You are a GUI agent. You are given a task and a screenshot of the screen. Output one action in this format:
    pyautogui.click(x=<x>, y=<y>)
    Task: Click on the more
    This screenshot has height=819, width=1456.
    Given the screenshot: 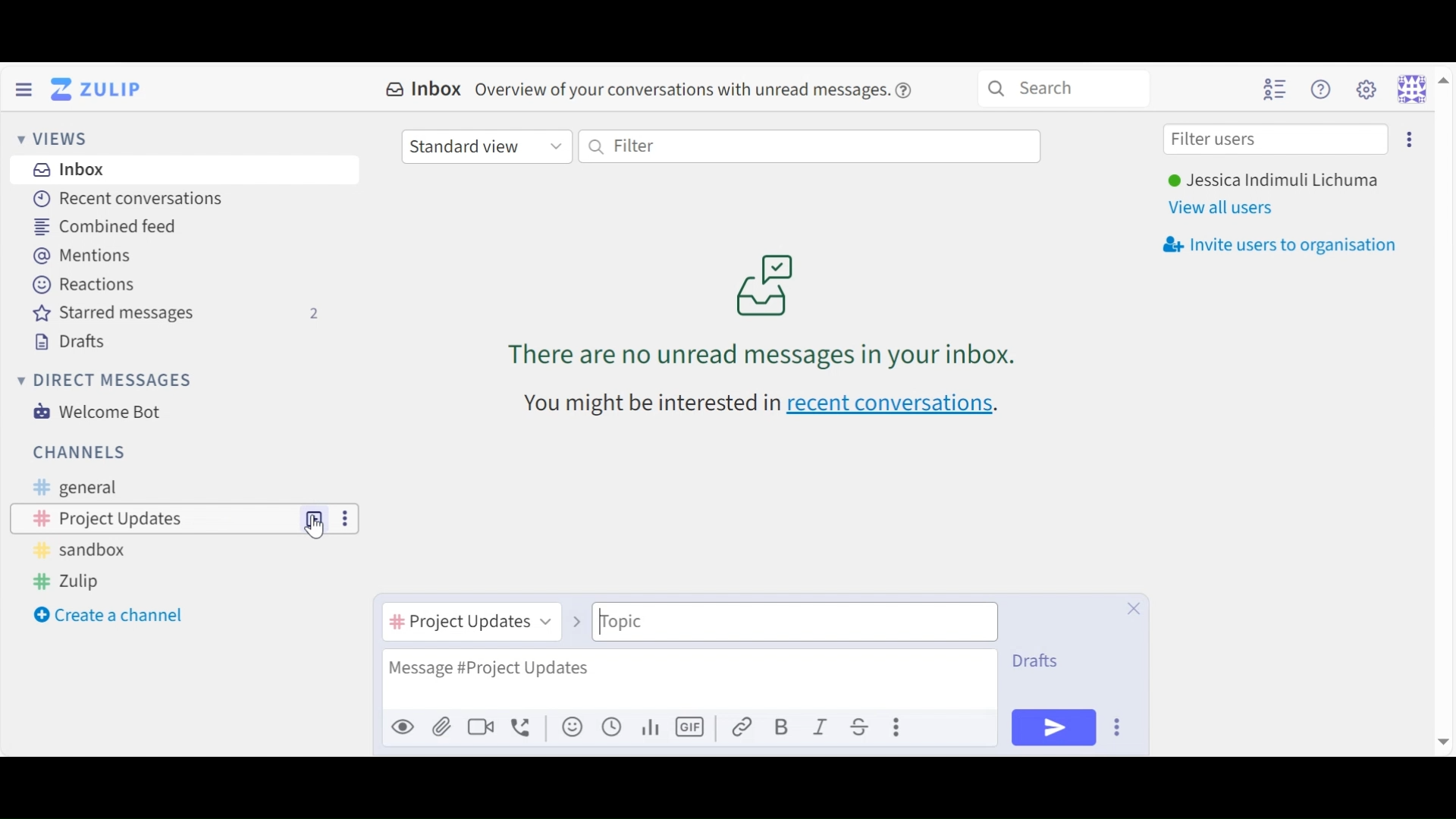 What is the action you would take?
    pyautogui.click(x=343, y=517)
    